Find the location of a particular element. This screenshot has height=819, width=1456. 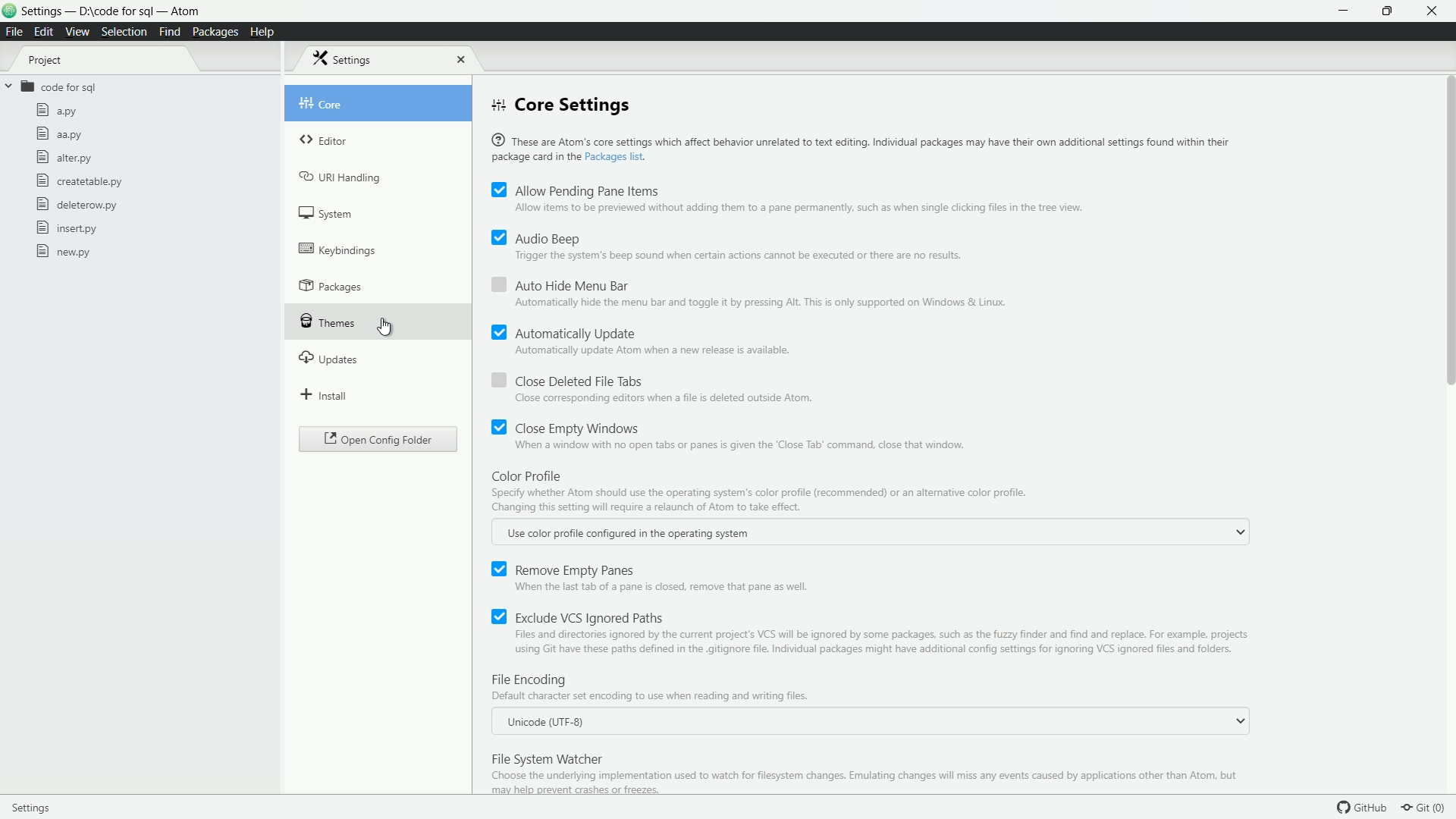

settings is located at coordinates (347, 58).